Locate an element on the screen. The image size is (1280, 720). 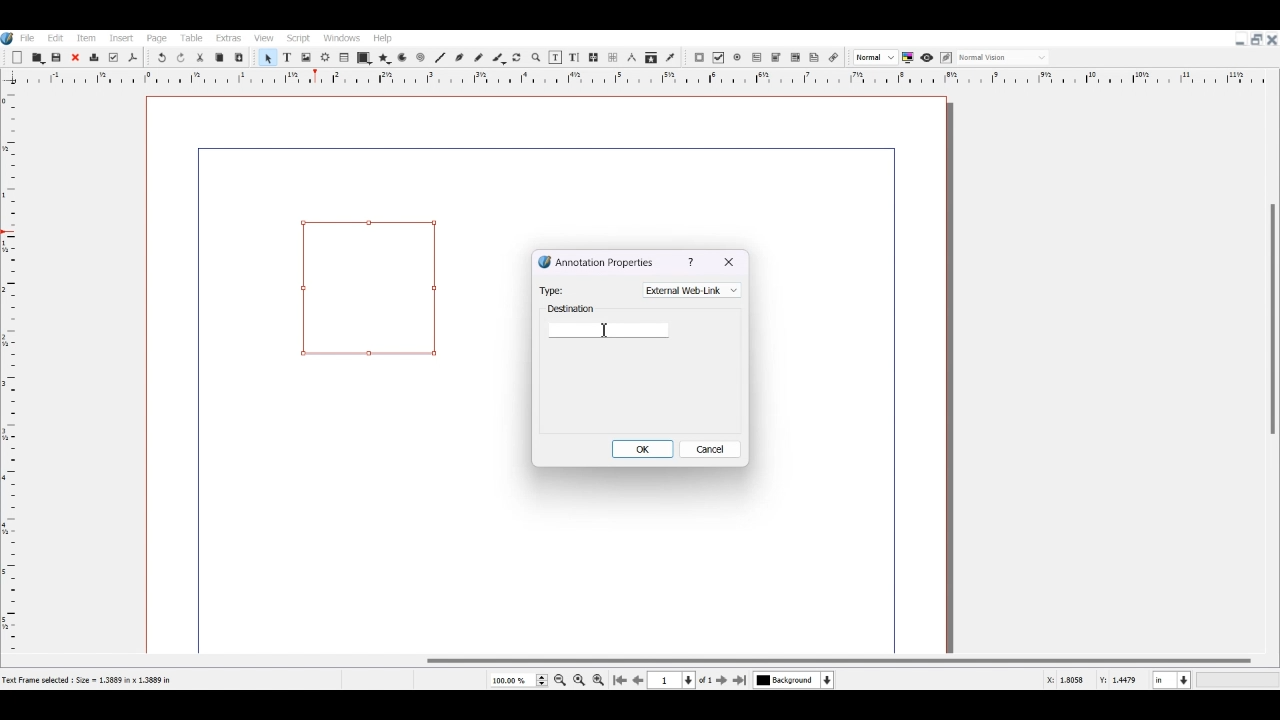
Text Cursor is located at coordinates (604, 330).